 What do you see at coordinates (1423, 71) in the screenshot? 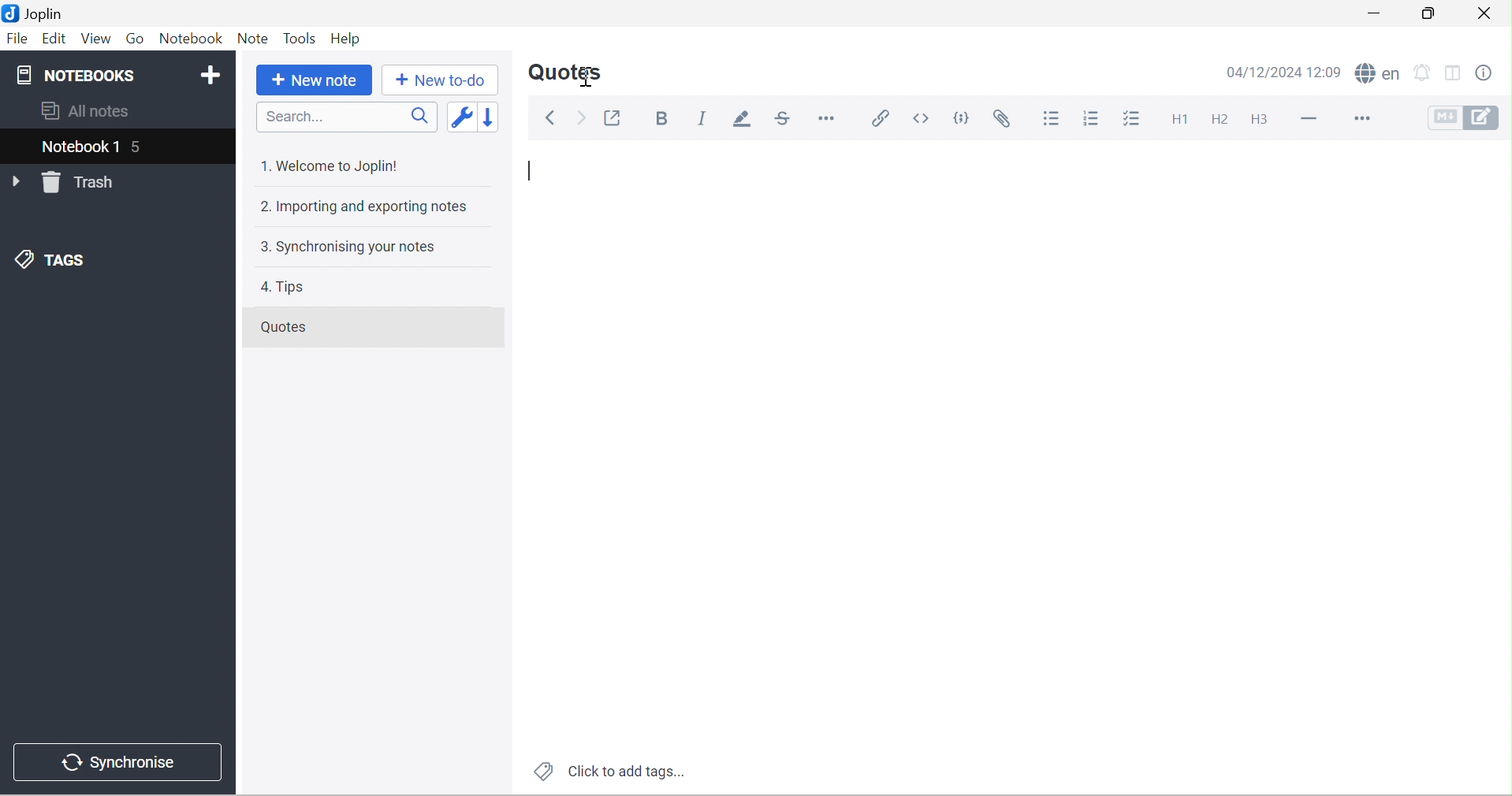
I see `set alarm` at bounding box center [1423, 71].